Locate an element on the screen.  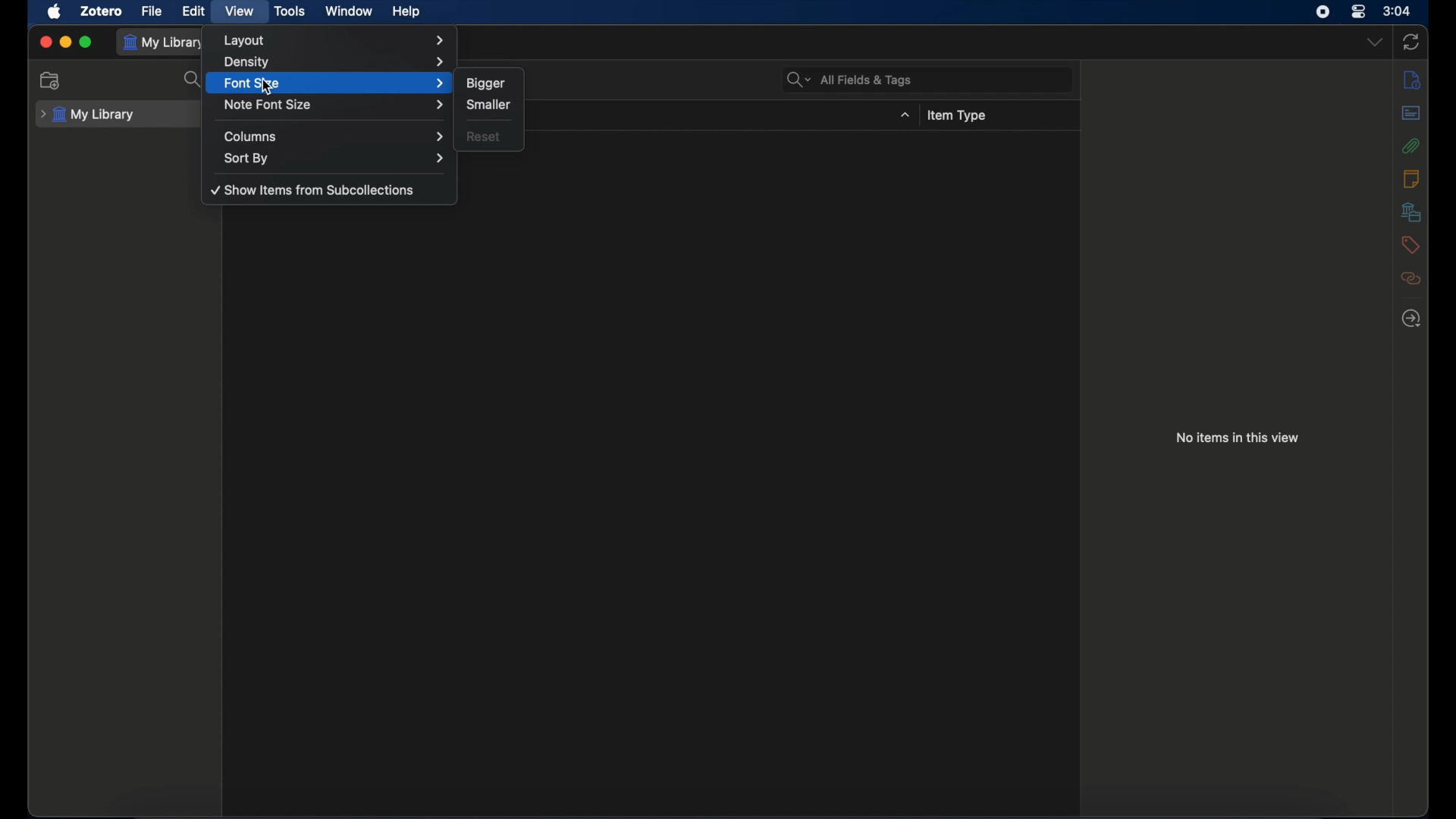
font size is located at coordinates (334, 83).